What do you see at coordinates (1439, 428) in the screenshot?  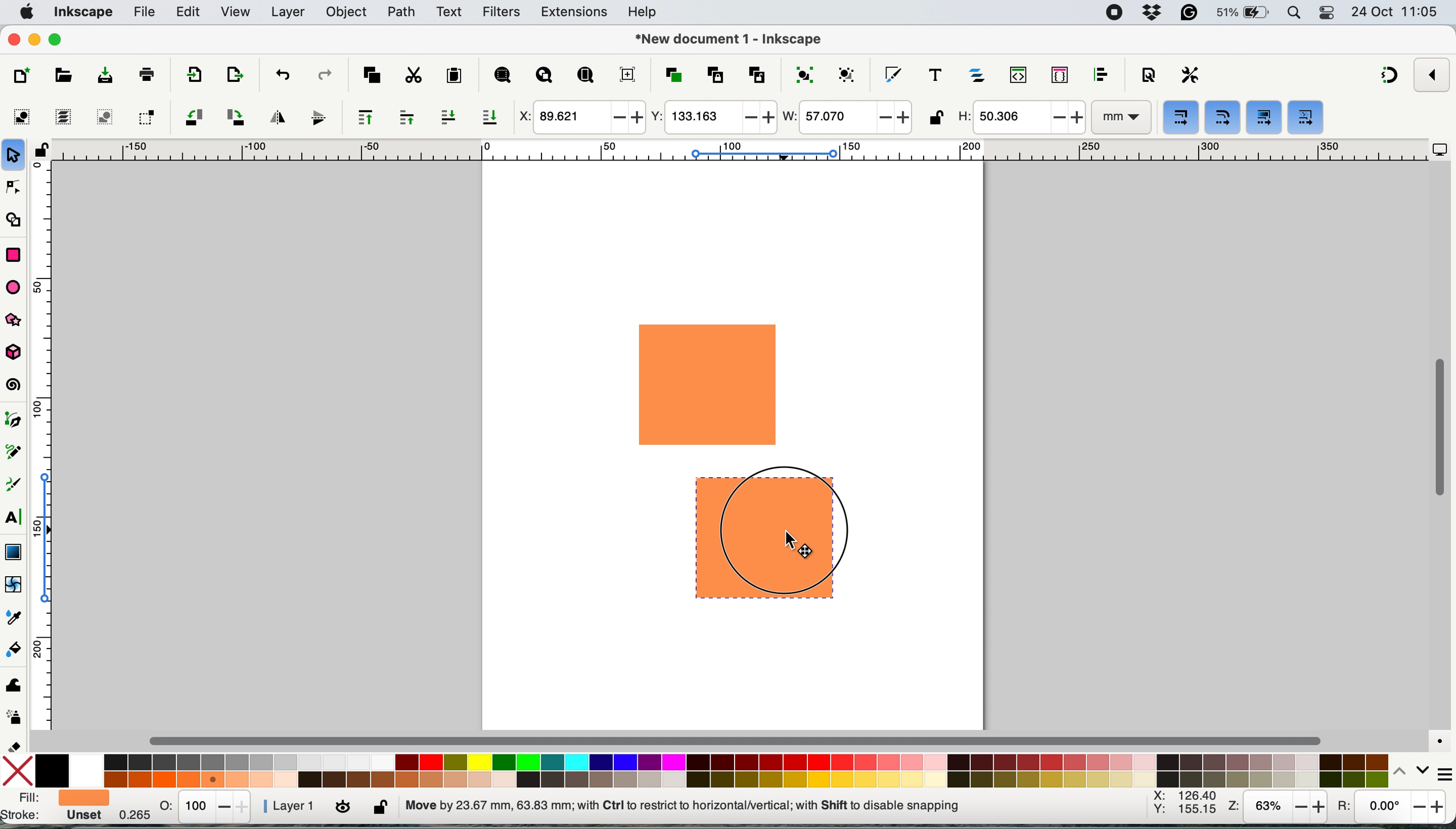 I see `vertical scroll bar` at bounding box center [1439, 428].